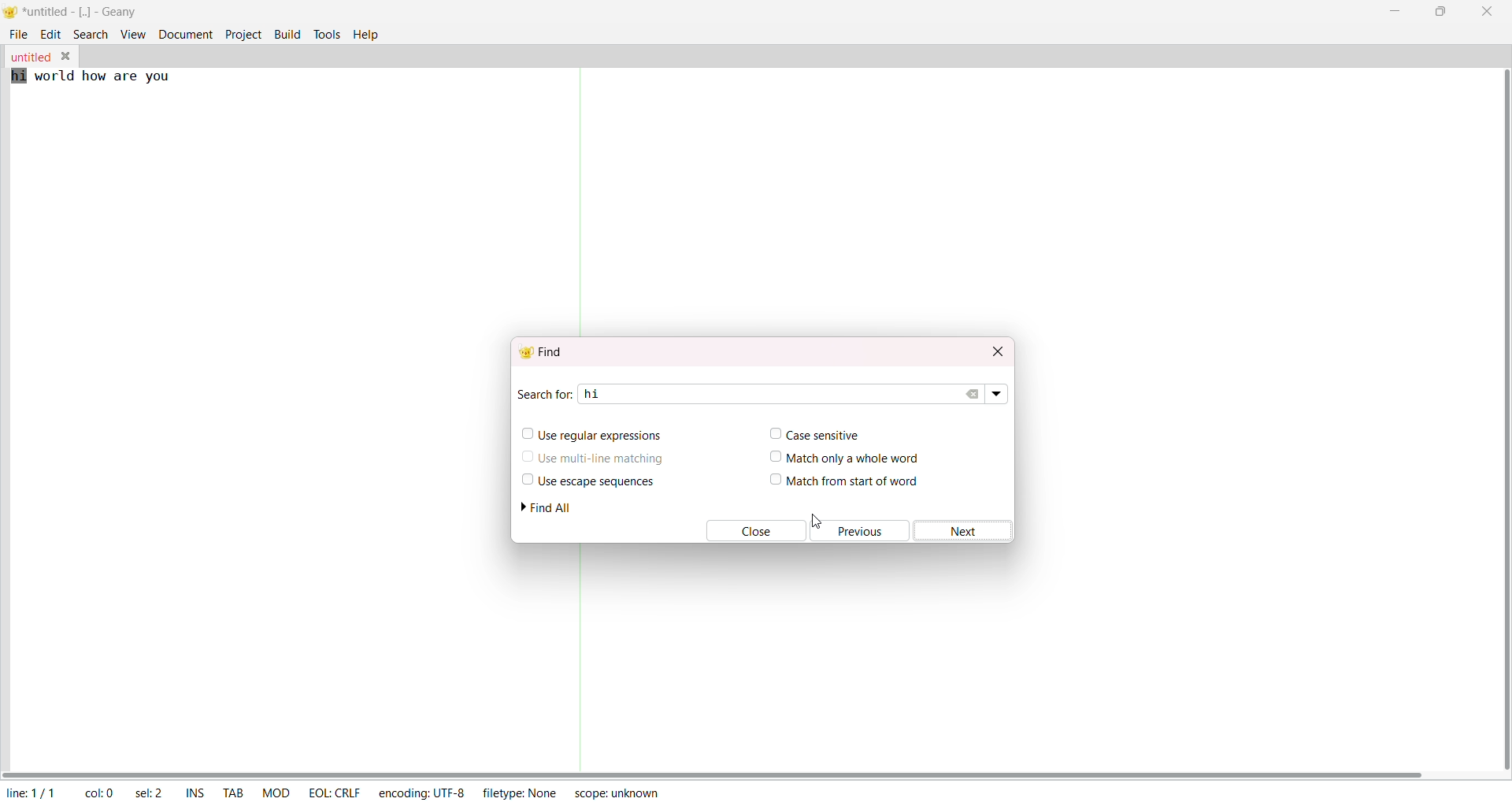 Image resolution: width=1512 pixels, height=802 pixels. I want to click on mod, so click(272, 792).